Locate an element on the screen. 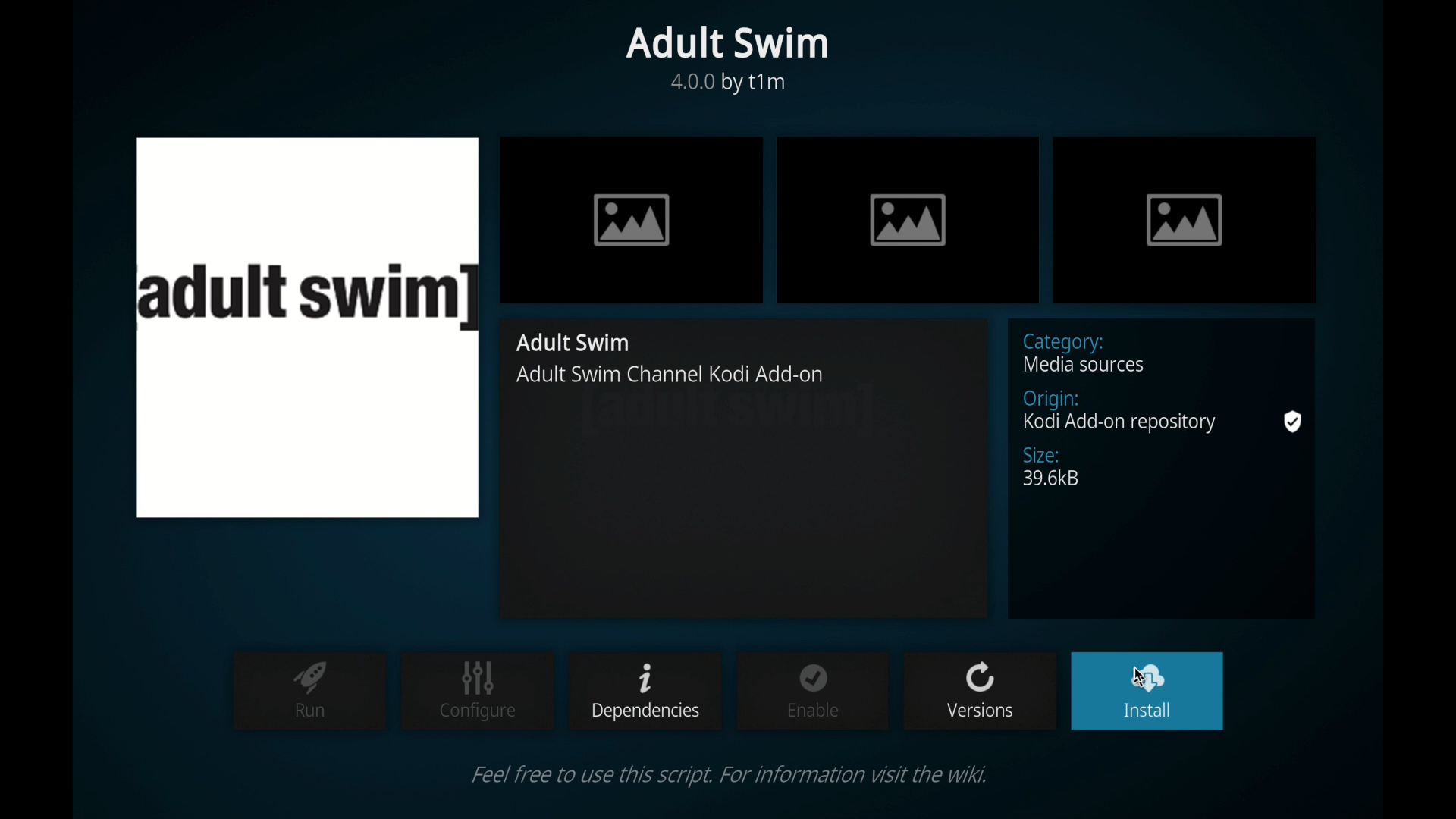 The image size is (1456, 819). dependencies is located at coordinates (642, 690).